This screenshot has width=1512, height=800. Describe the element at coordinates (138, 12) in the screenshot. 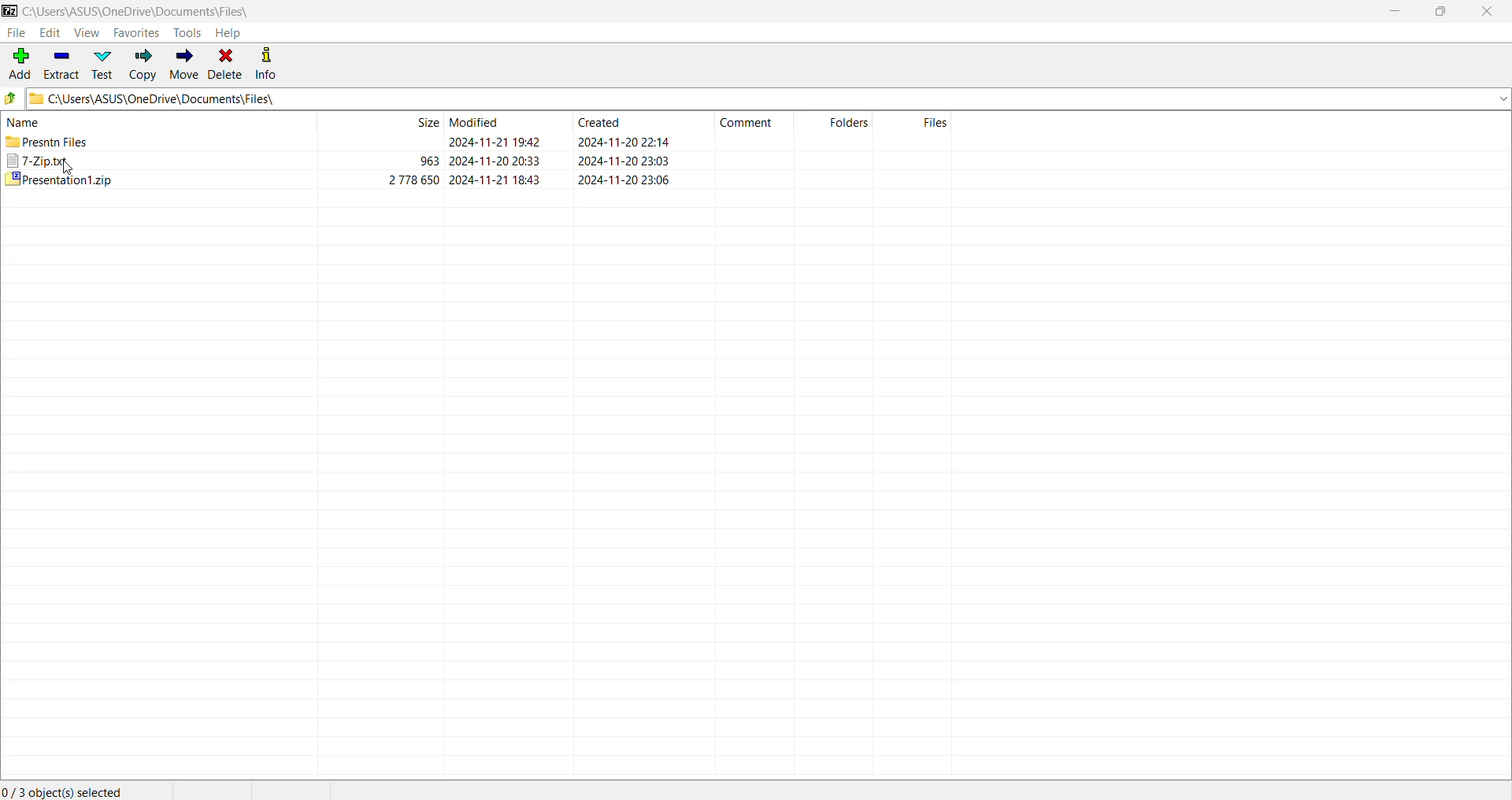

I see `Current Folder Path` at that location.